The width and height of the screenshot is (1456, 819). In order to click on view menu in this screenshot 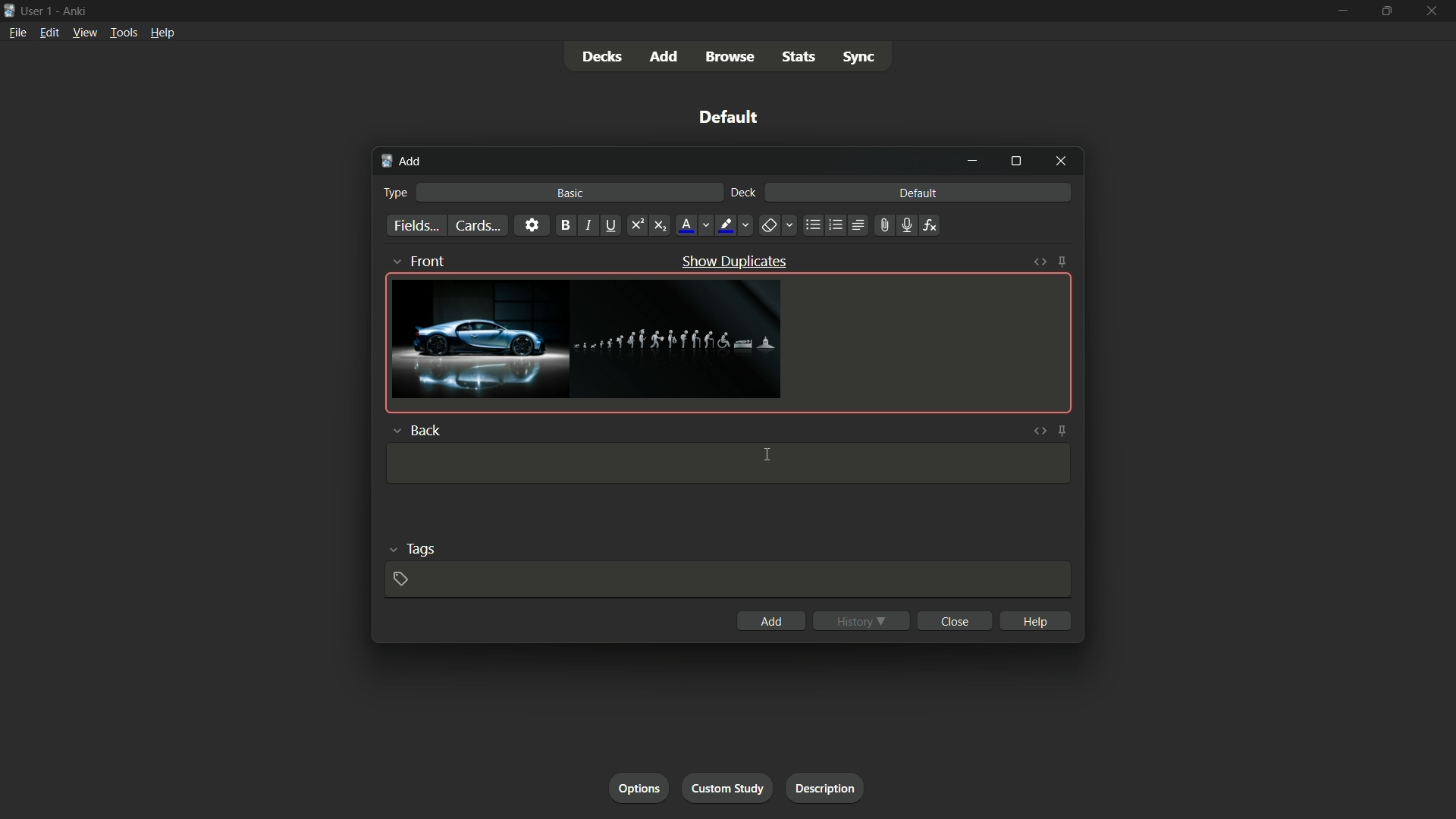, I will do `click(84, 32)`.